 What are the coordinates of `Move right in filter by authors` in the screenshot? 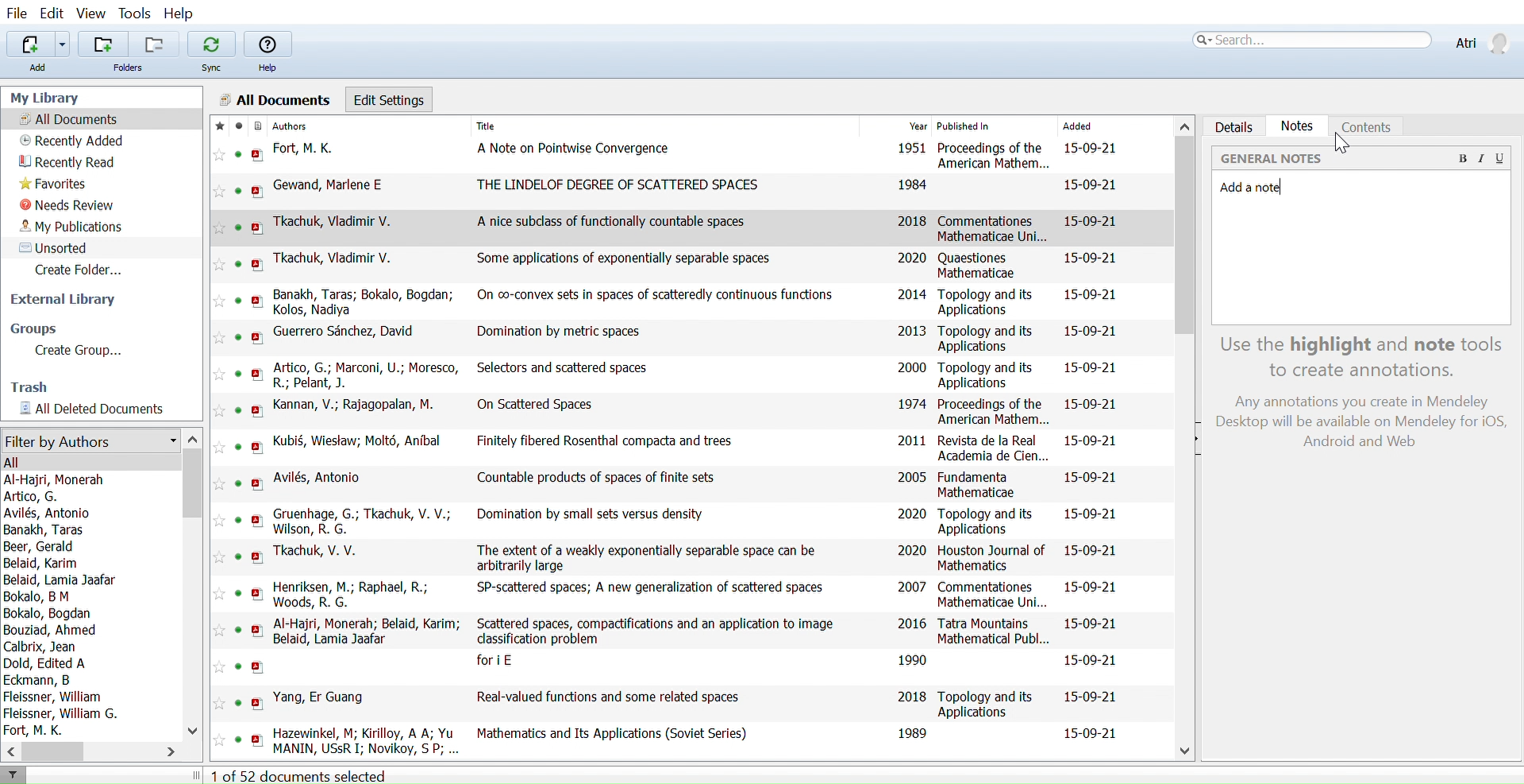 It's located at (175, 751).